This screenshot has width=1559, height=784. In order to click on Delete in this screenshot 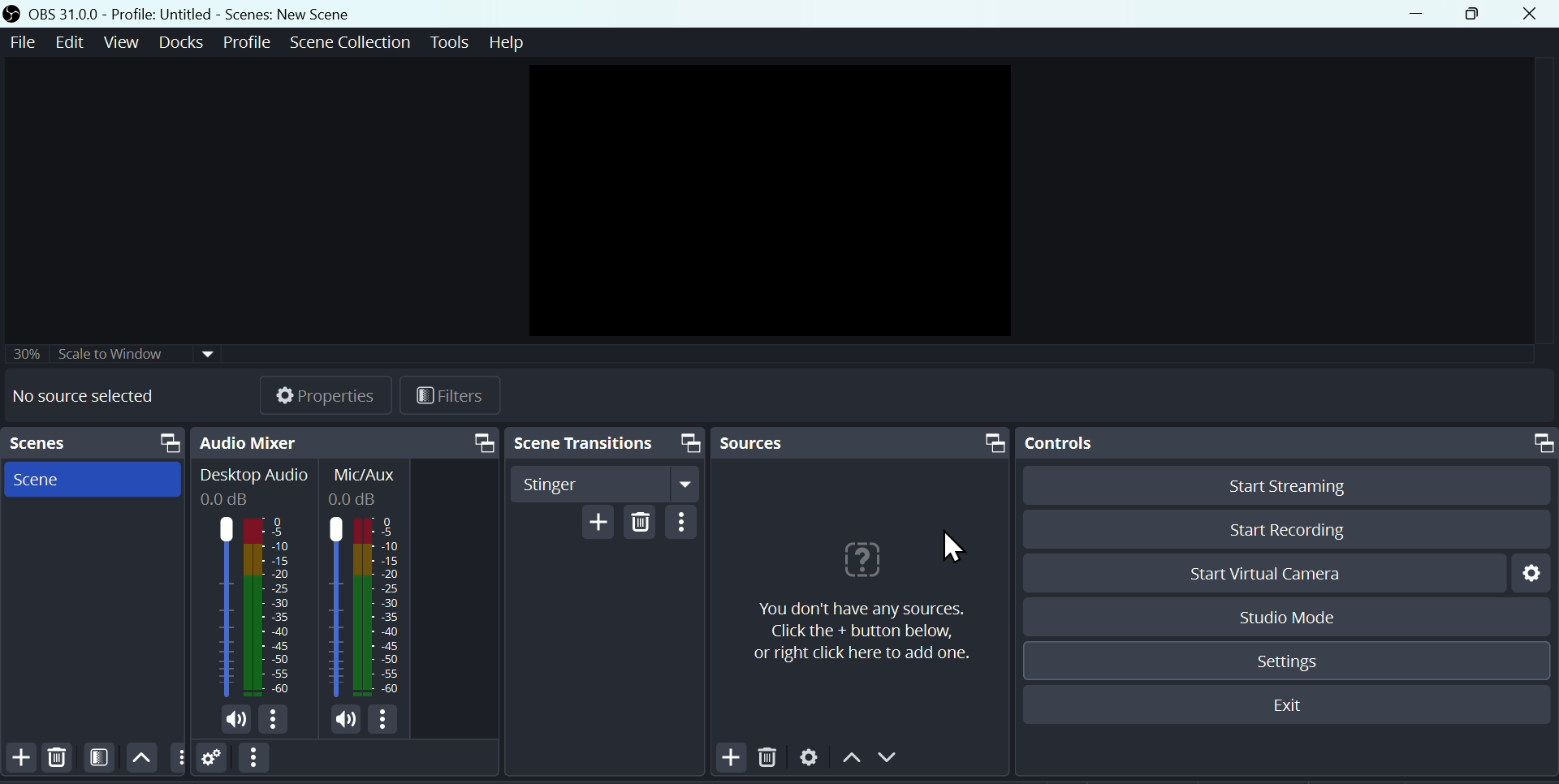, I will do `click(773, 760)`.